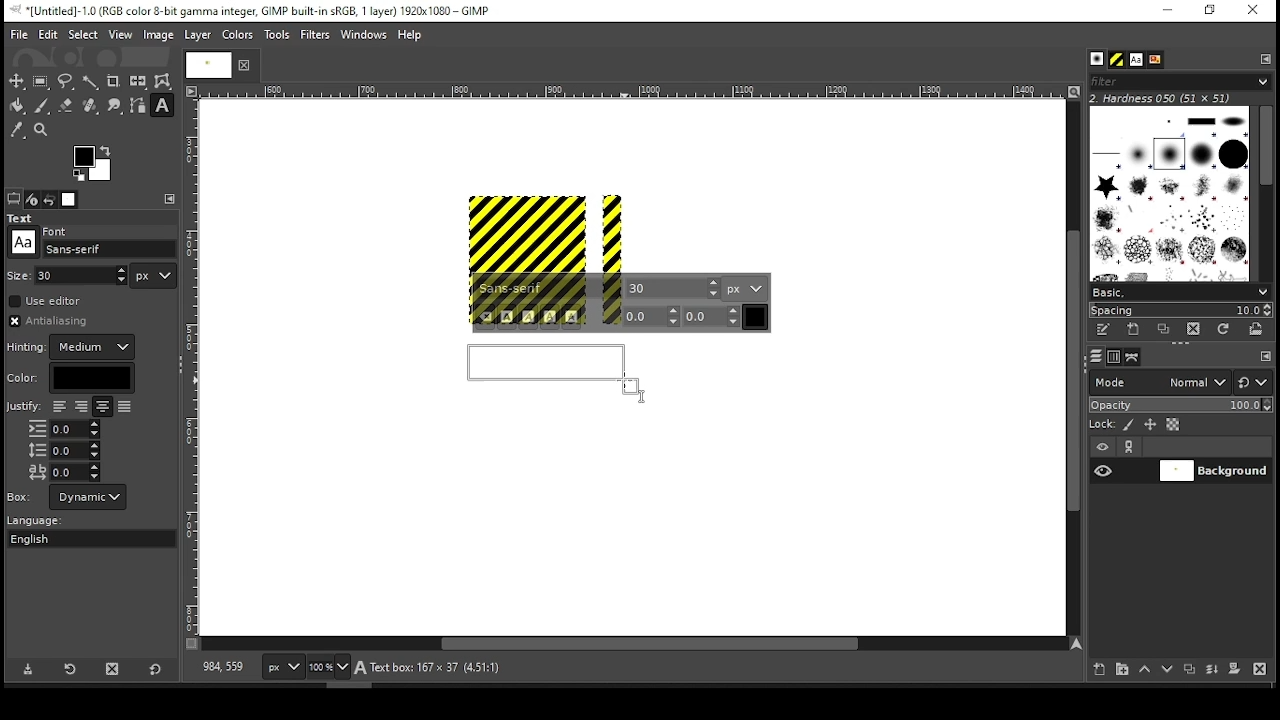  I want to click on color, so click(238, 34).